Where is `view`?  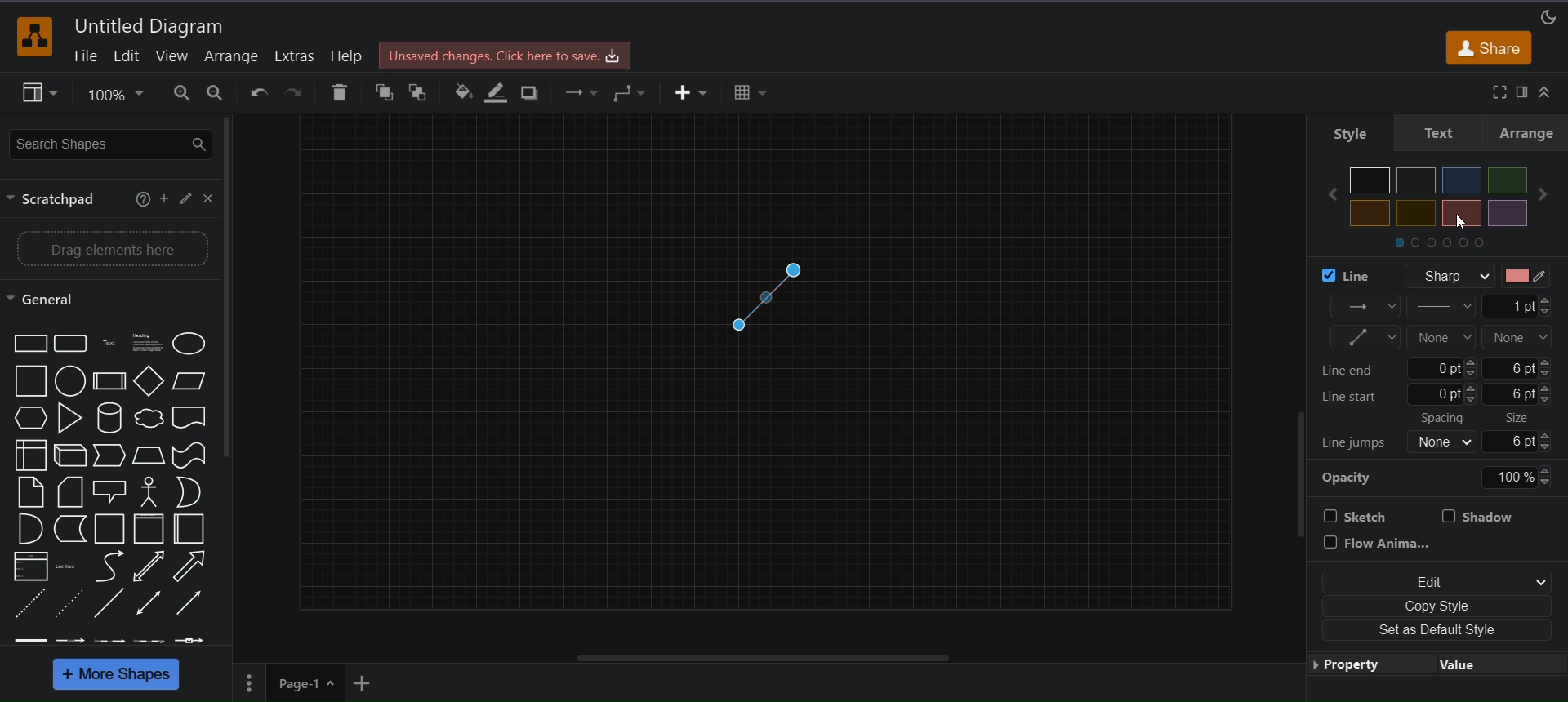 view is located at coordinates (172, 56).